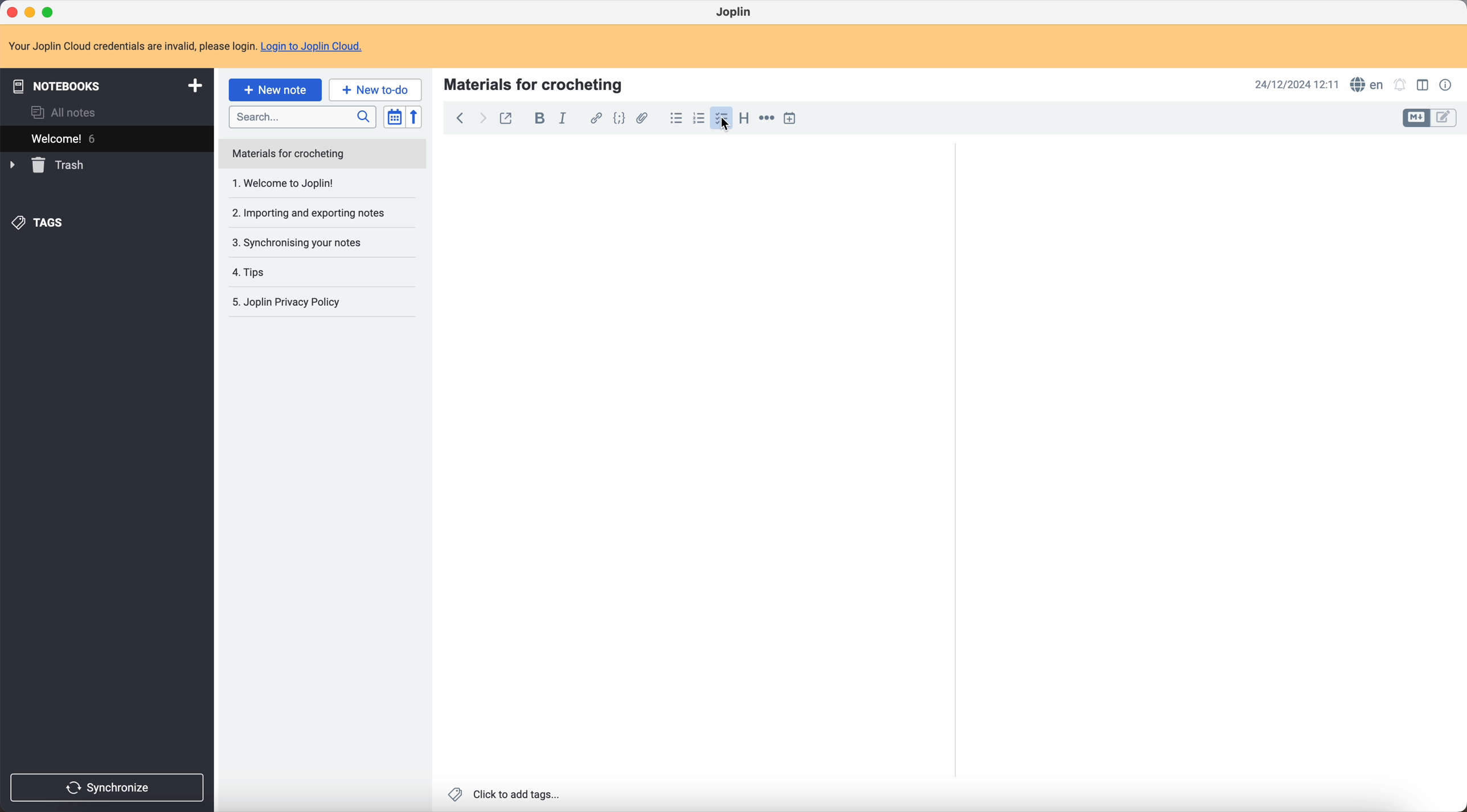 The height and width of the screenshot is (812, 1467). I want to click on bold, so click(536, 118).